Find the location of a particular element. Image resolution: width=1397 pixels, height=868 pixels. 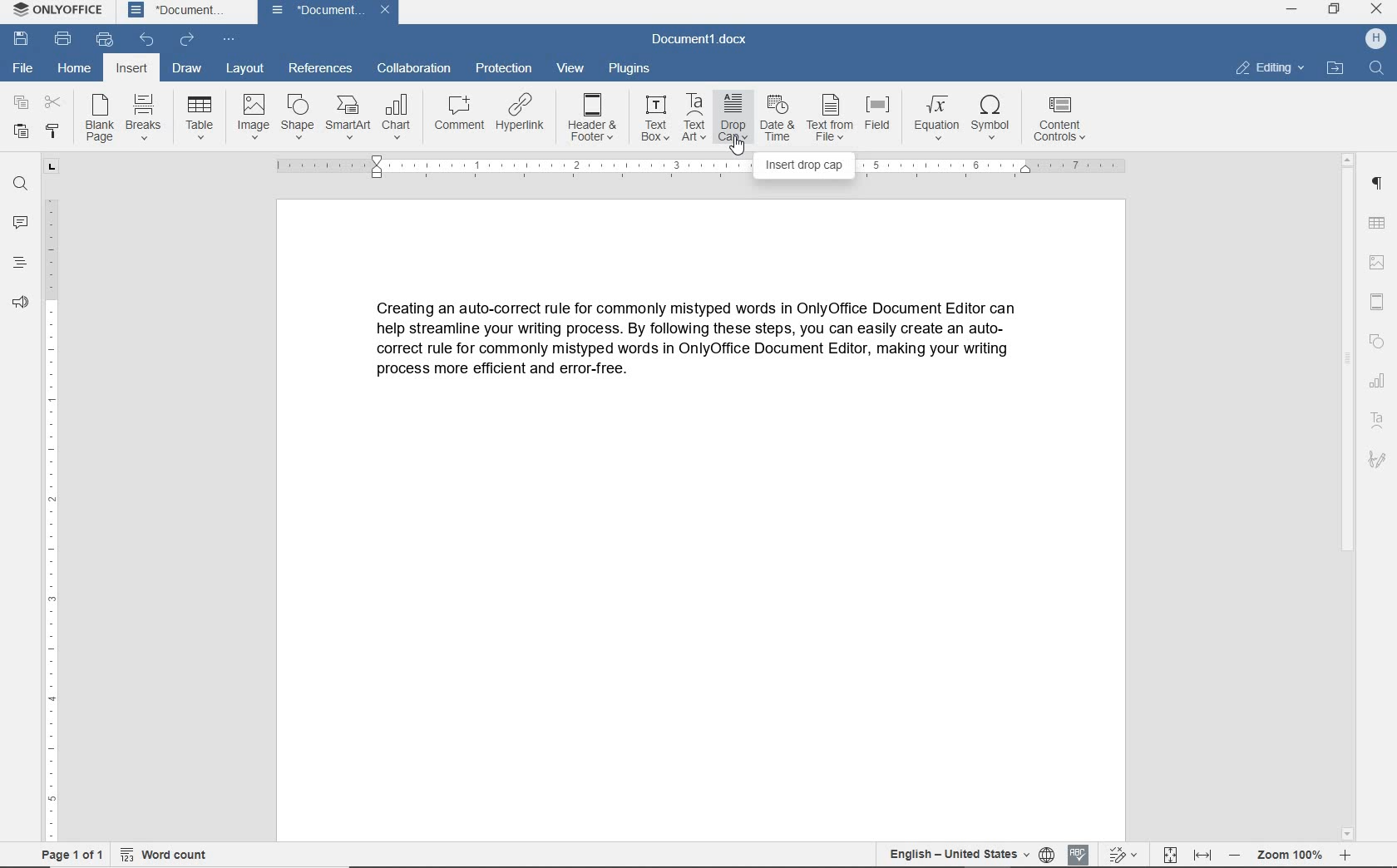

chart is located at coordinates (397, 117).